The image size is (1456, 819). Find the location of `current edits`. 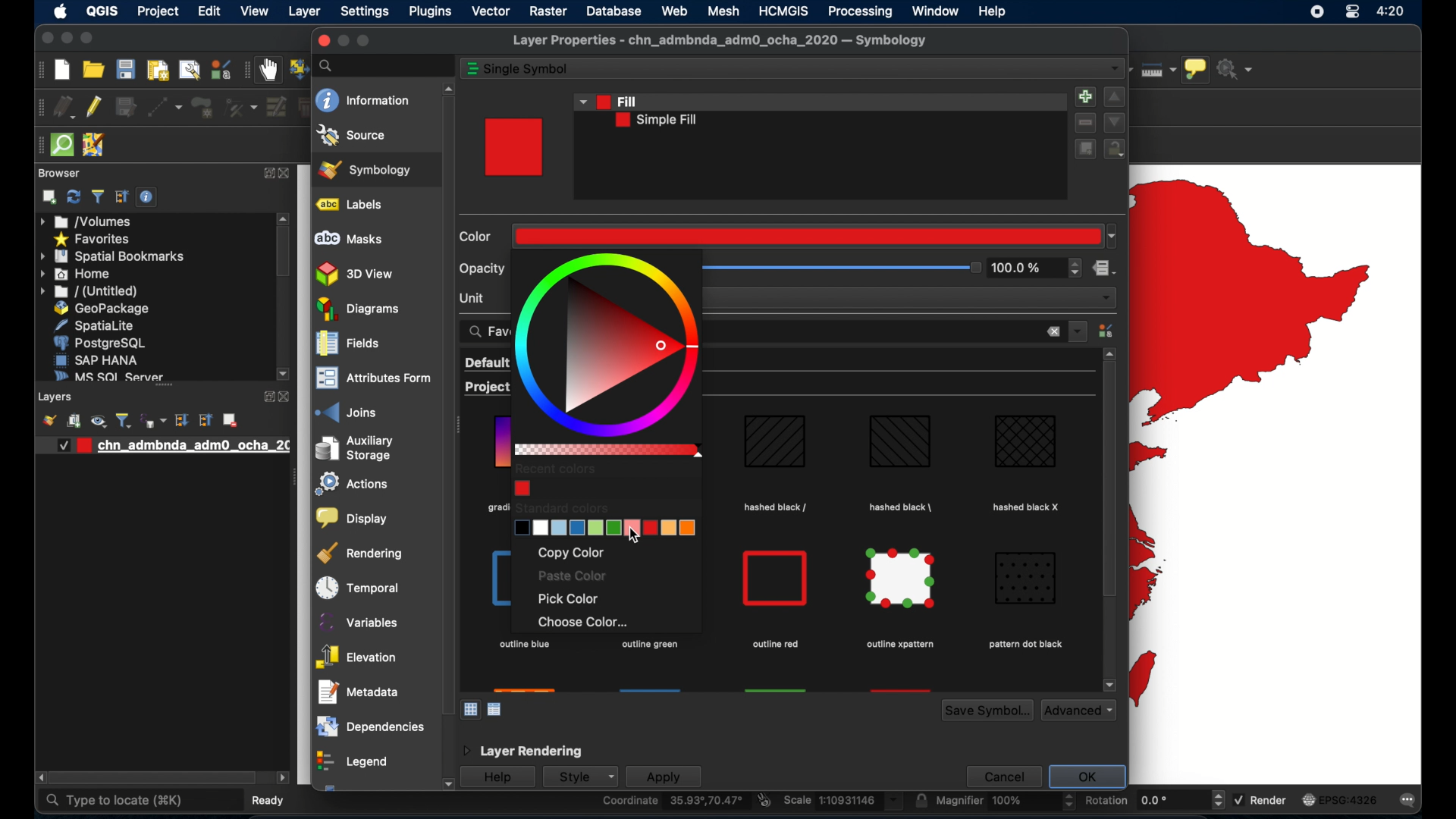

current edits is located at coordinates (64, 108).